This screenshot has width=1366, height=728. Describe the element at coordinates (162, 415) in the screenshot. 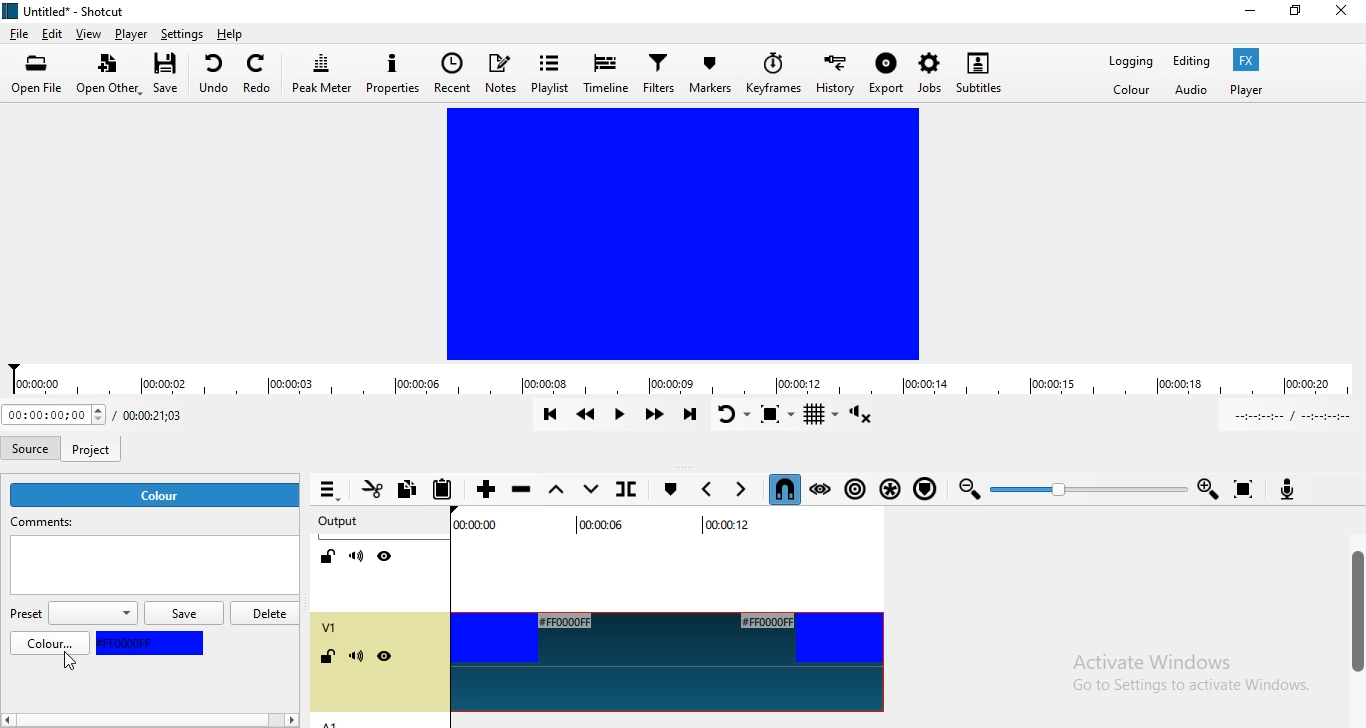

I see `Total duration` at that location.